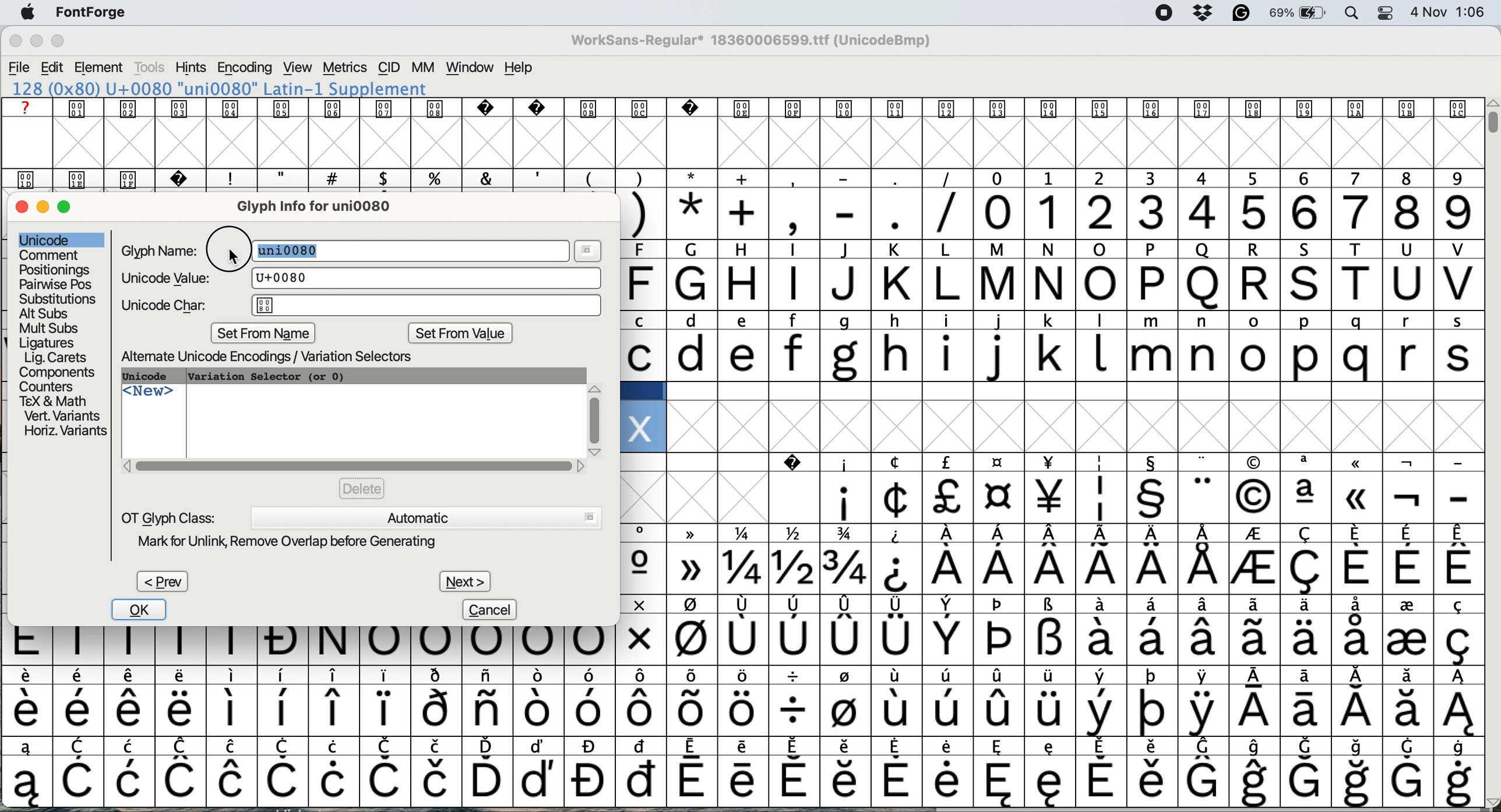 This screenshot has height=812, width=1501. I want to click on comment, so click(49, 255).